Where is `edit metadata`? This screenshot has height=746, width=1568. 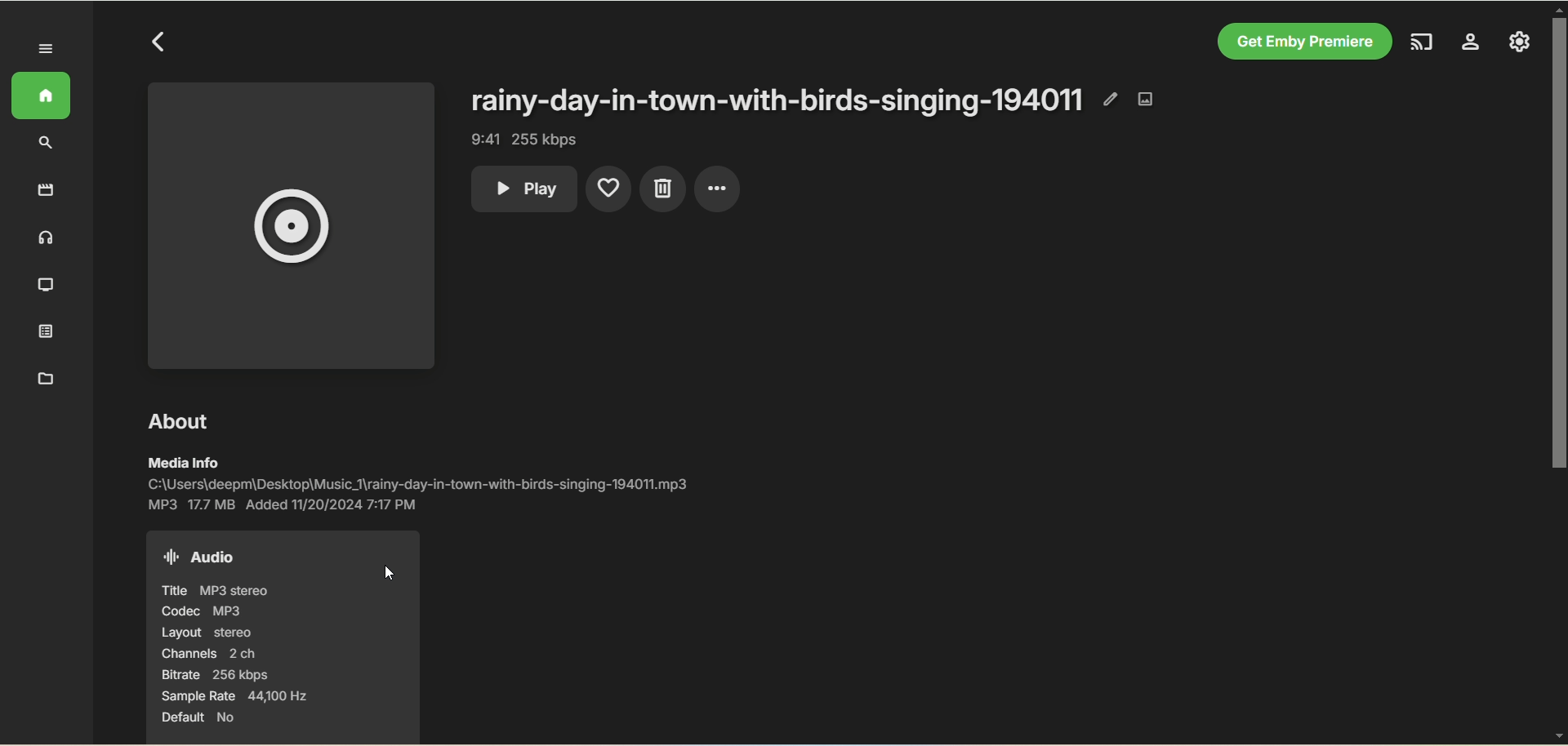
edit metadata is located at coordinates (1113, 100).